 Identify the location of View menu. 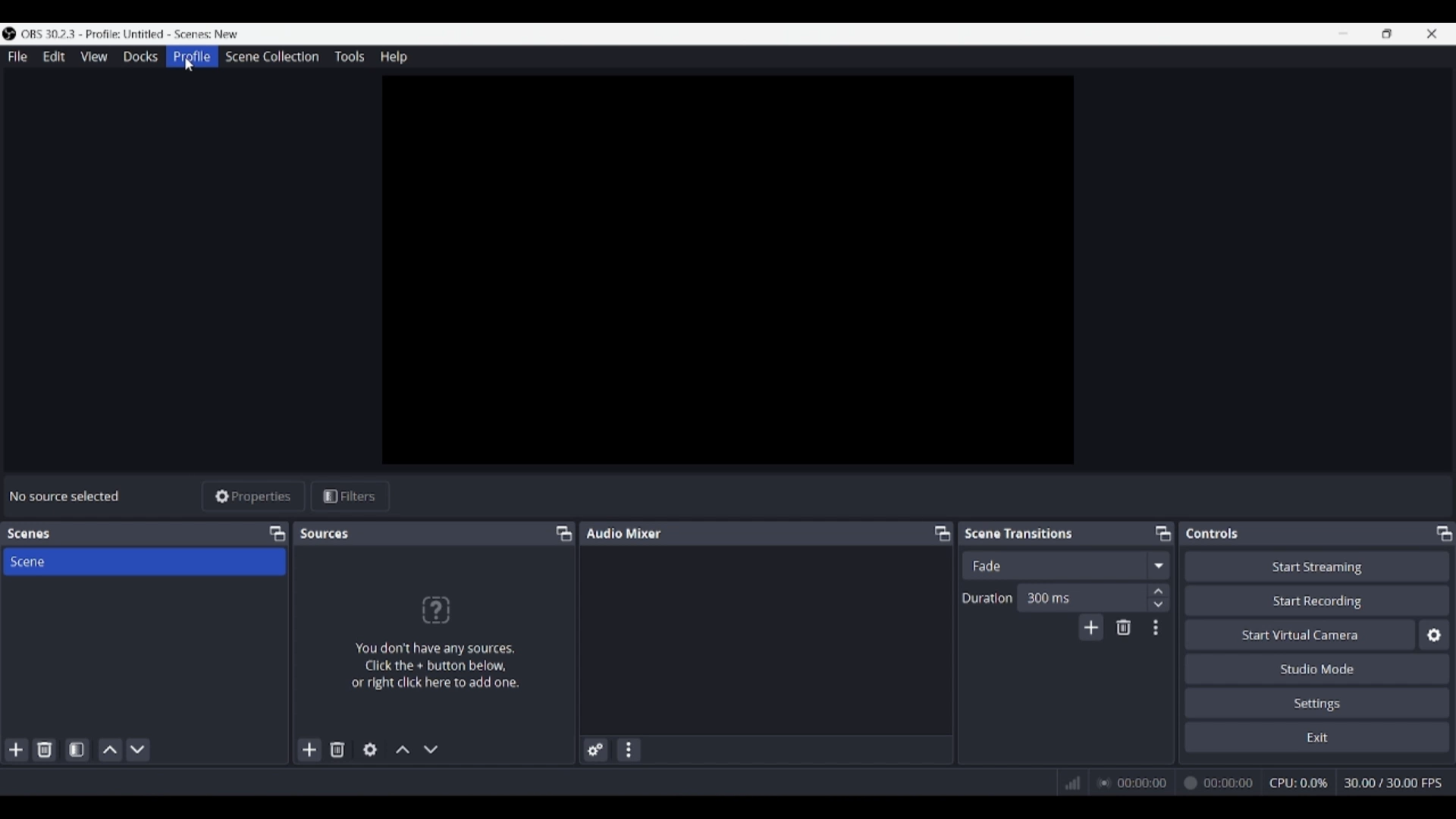
(94, 56).